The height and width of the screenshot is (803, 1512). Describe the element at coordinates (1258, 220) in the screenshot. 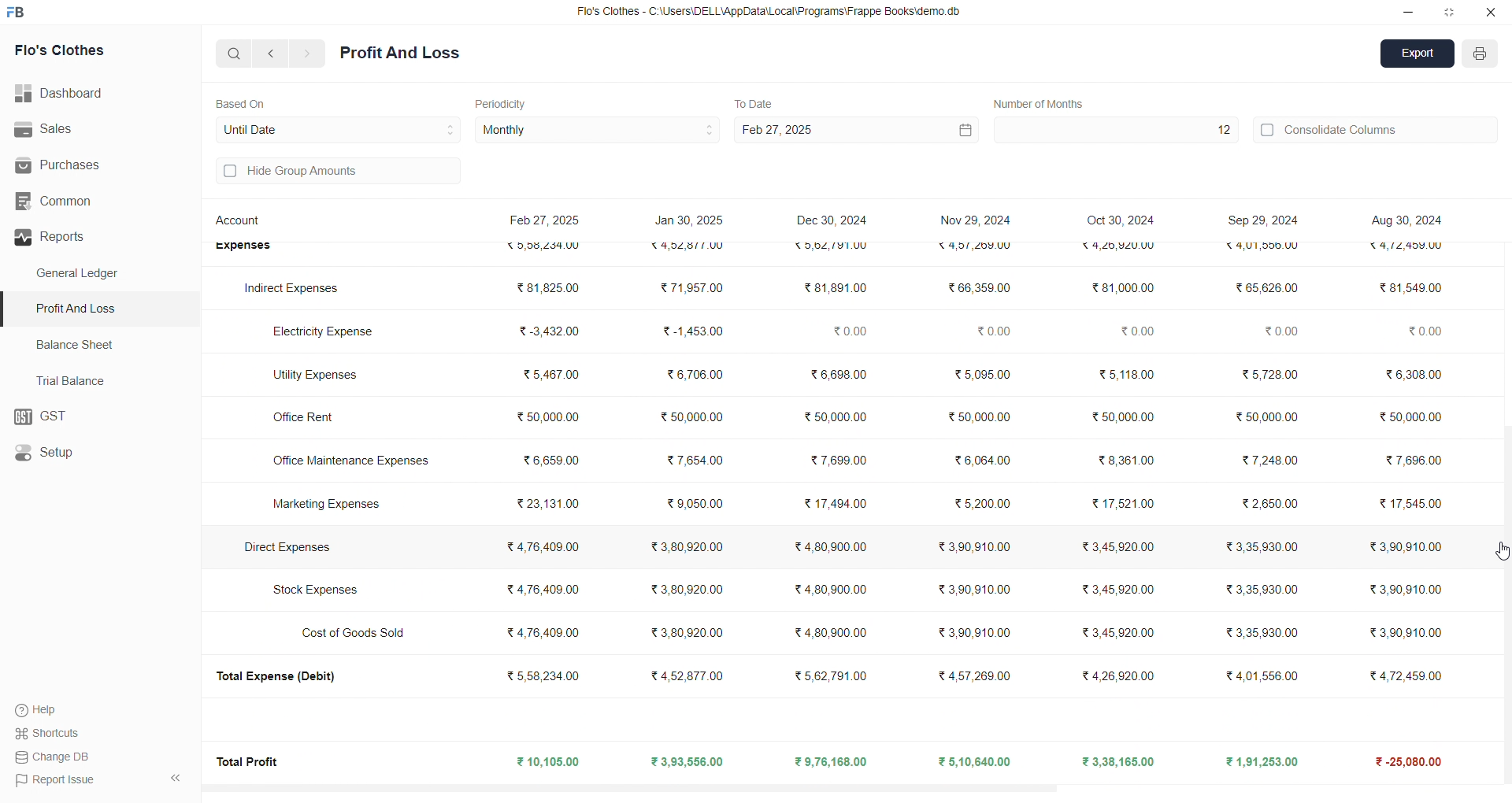

I see `Sep 29, 2024` at that location.